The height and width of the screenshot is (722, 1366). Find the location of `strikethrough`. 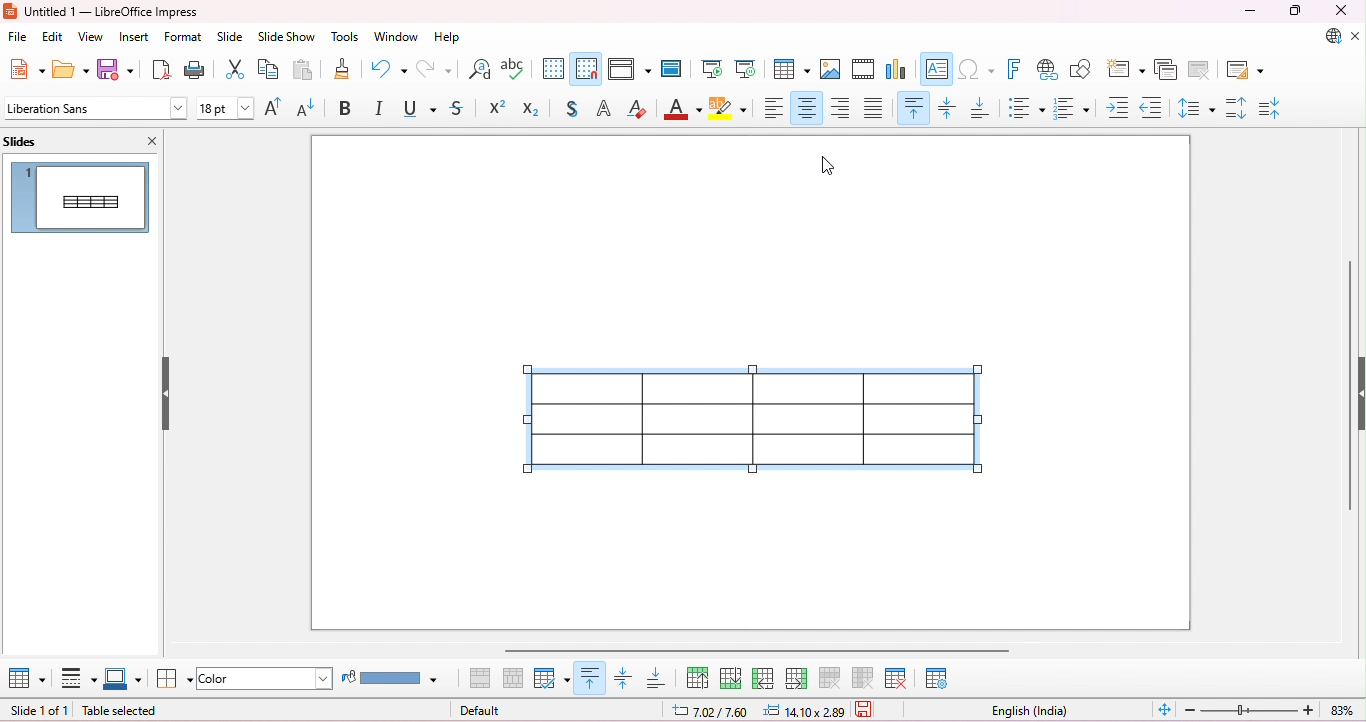

strikethrough is located at coordinates (458, 109).